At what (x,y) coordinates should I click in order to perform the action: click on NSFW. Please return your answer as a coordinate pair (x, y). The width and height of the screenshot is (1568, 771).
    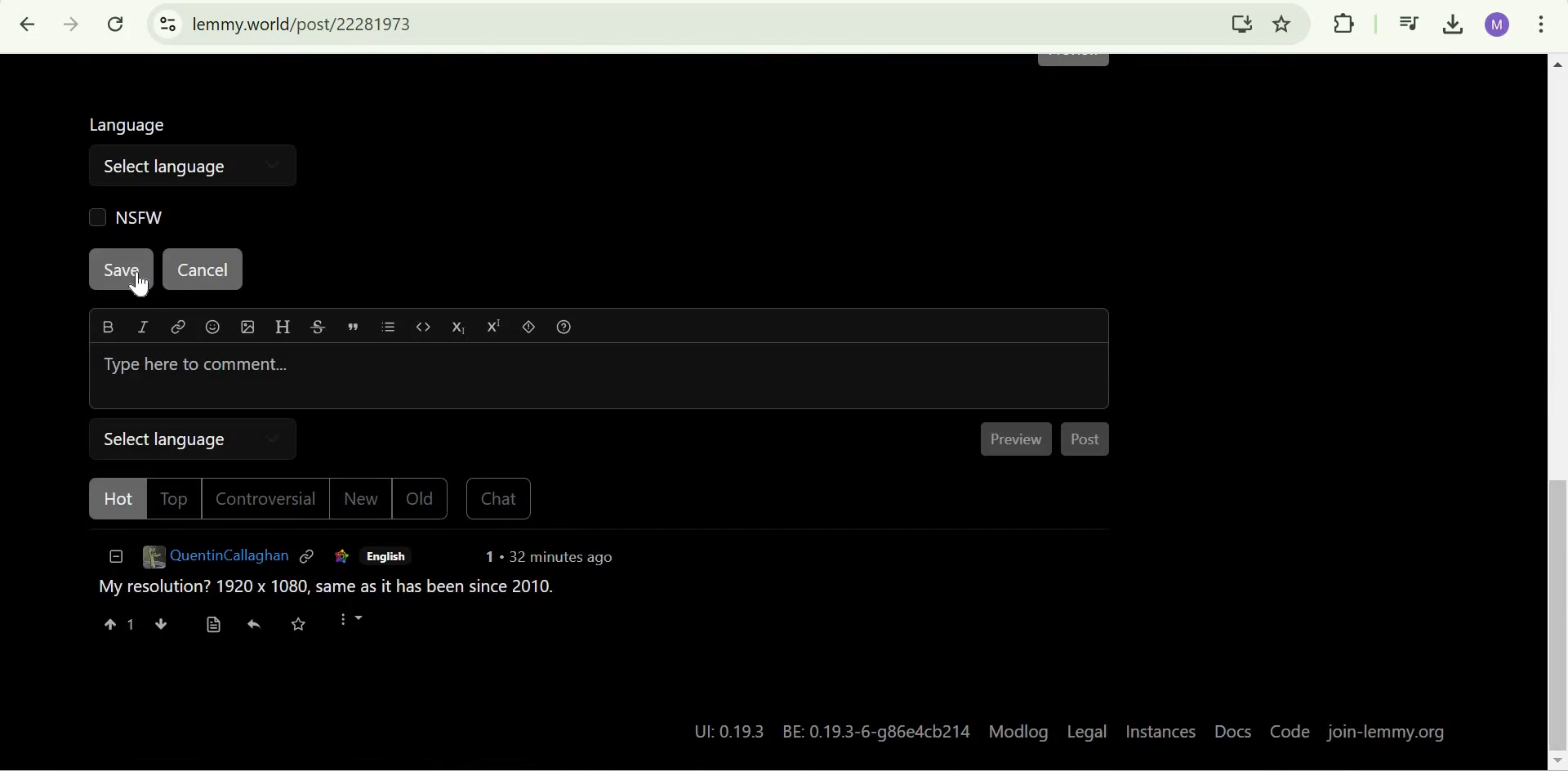
    Looking at the image, I should click on (123, 216).